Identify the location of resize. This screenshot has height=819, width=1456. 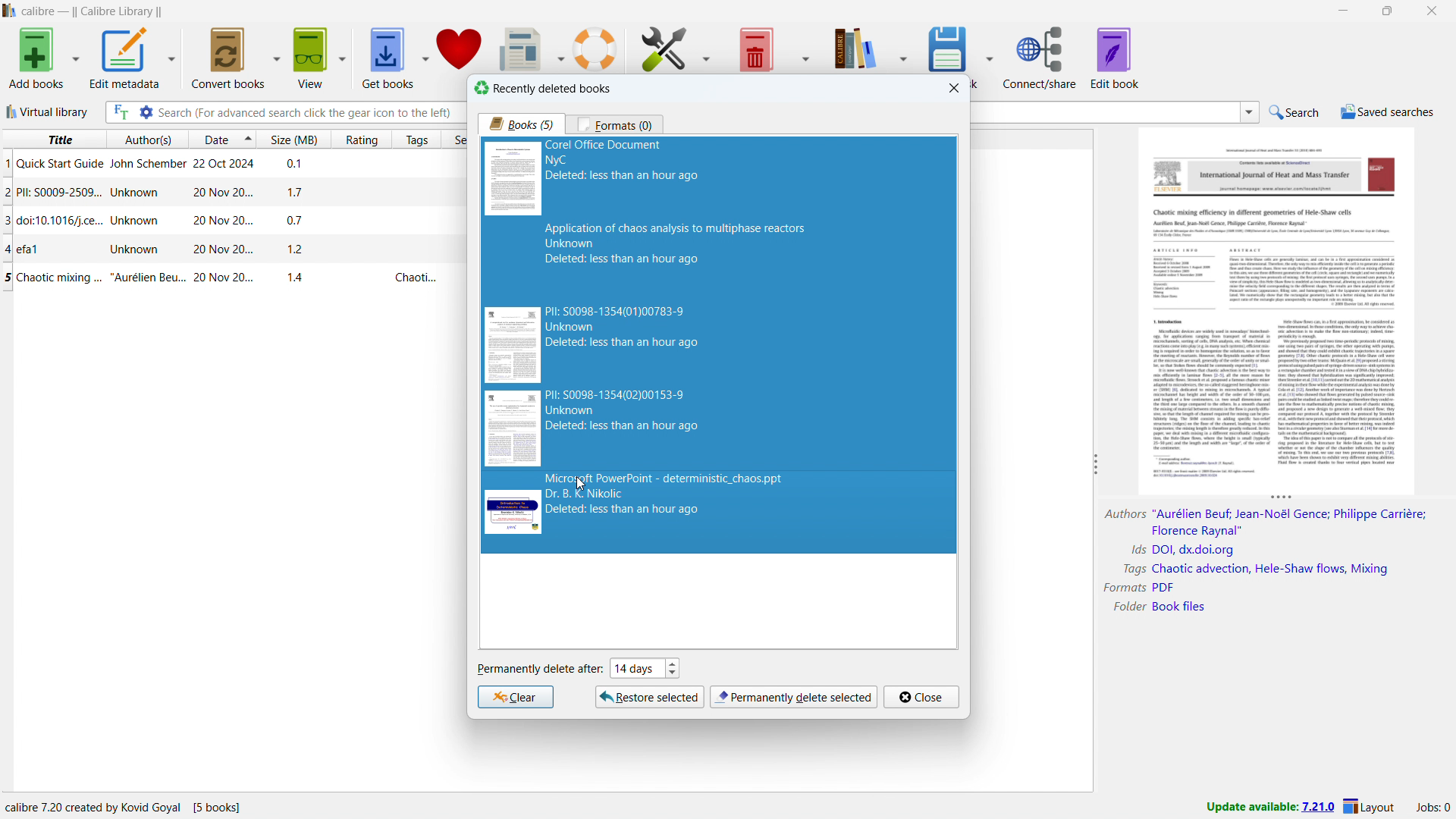
(1094, 465).